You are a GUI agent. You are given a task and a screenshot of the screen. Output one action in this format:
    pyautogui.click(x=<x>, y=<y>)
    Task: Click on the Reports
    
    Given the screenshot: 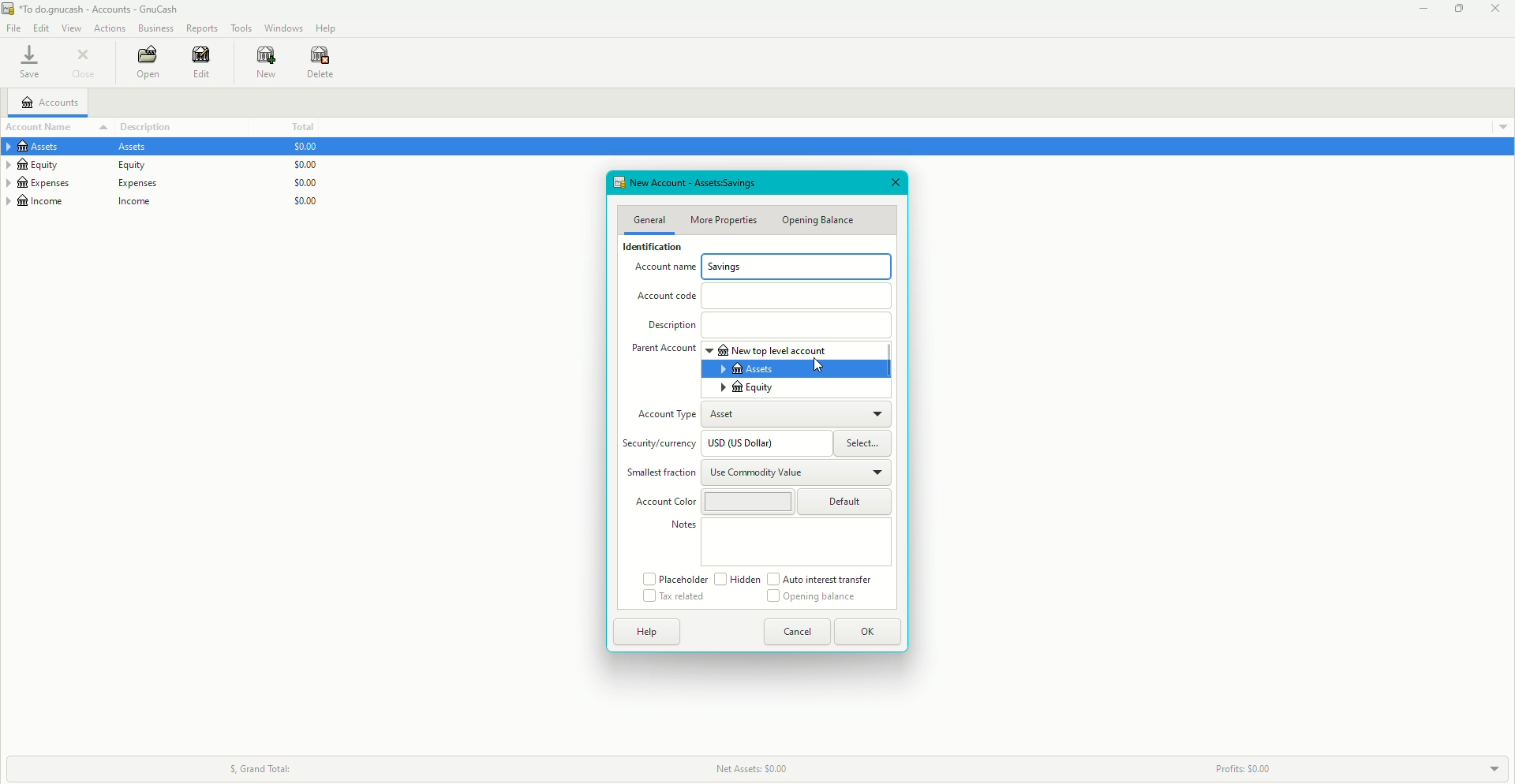 What is the action you would take?
    pyautogui.click(x=202, y=28)
    